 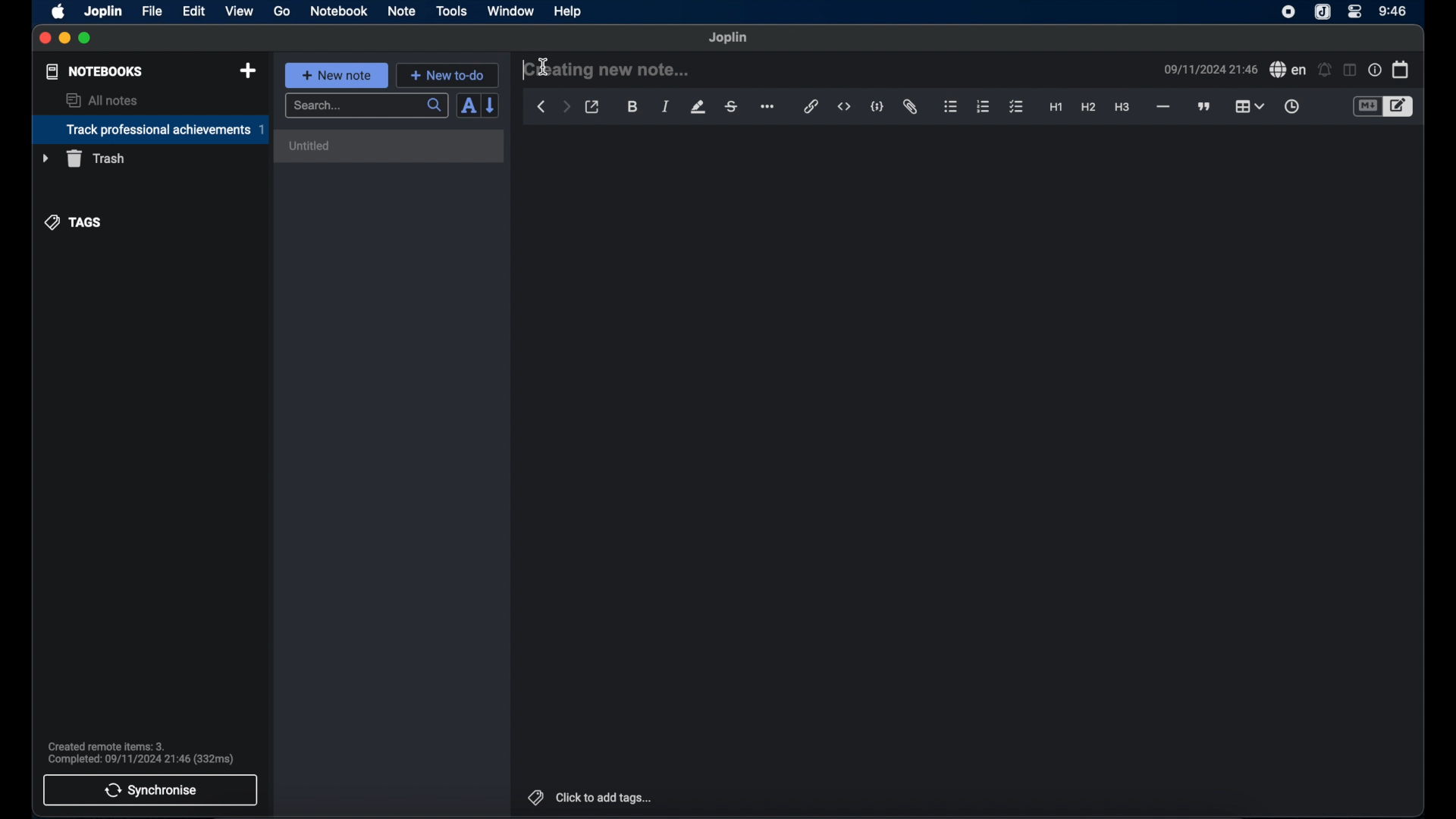 What do you see at coordinates (1288, 13) in the screenshot?
I see `joplin icon` at bounding box center [1288, 13].